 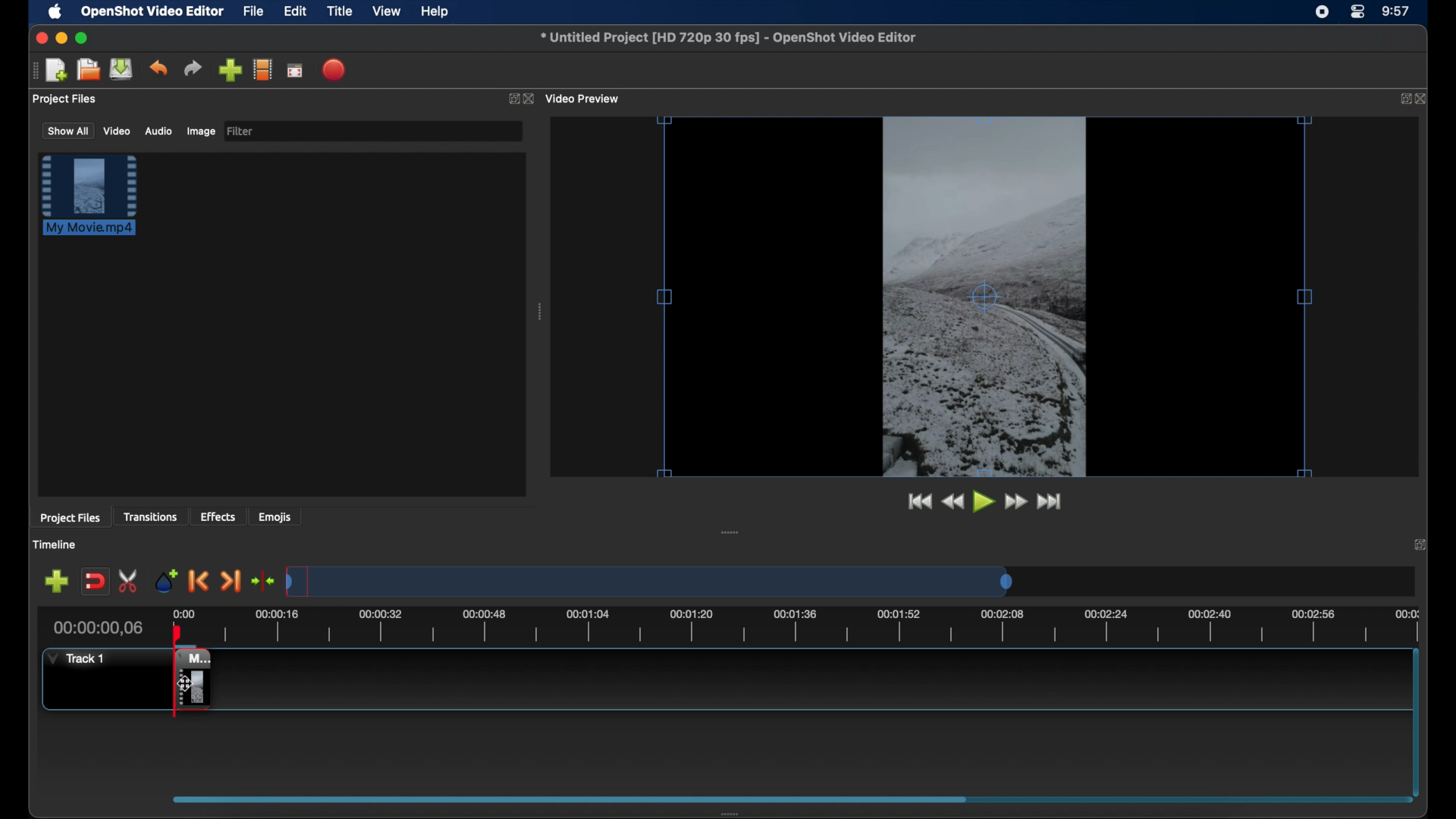 I want to click on expand, so click(x=1401, y=99).